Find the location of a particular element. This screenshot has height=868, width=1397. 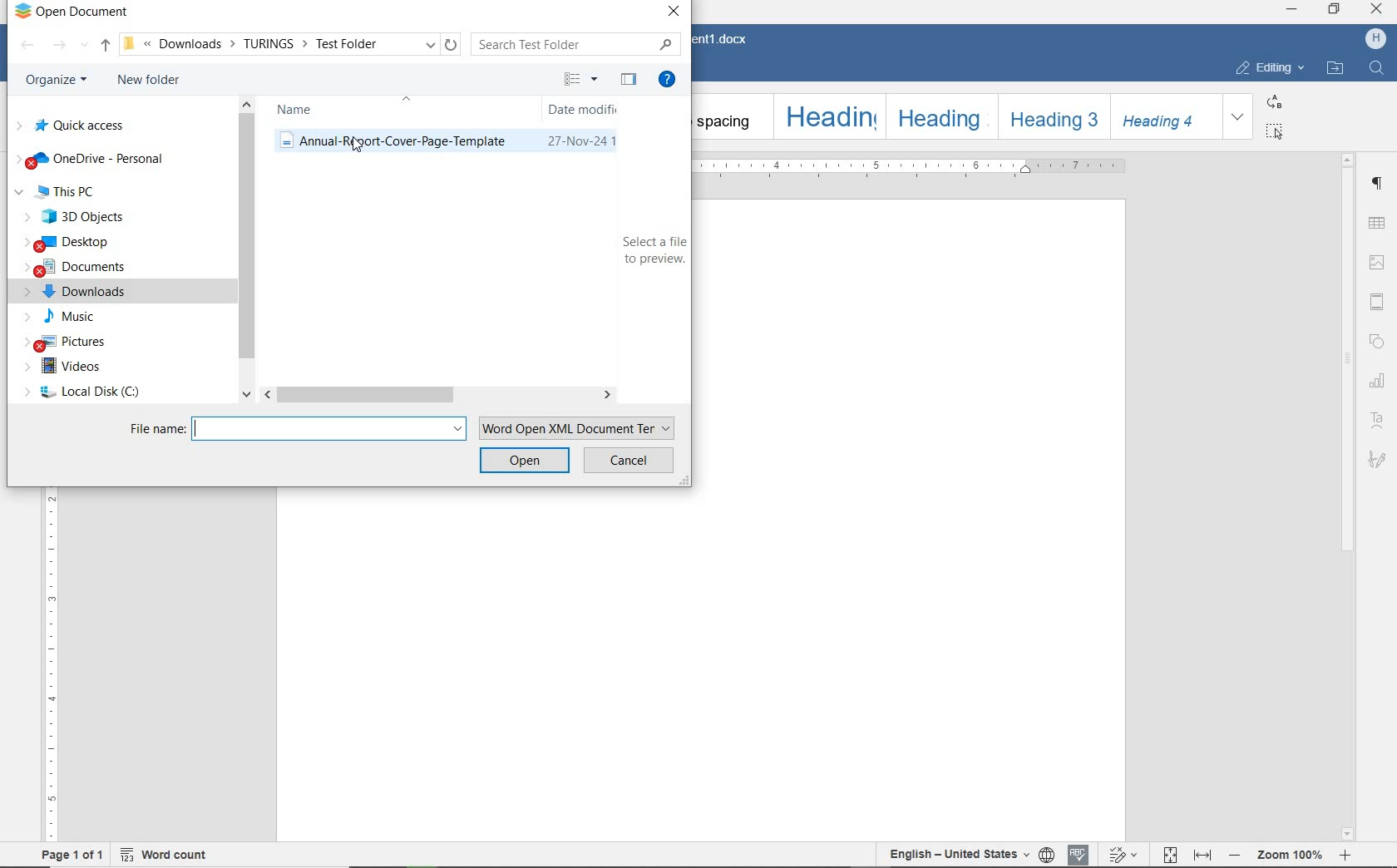

quick access is located at coordinates (77, 126).